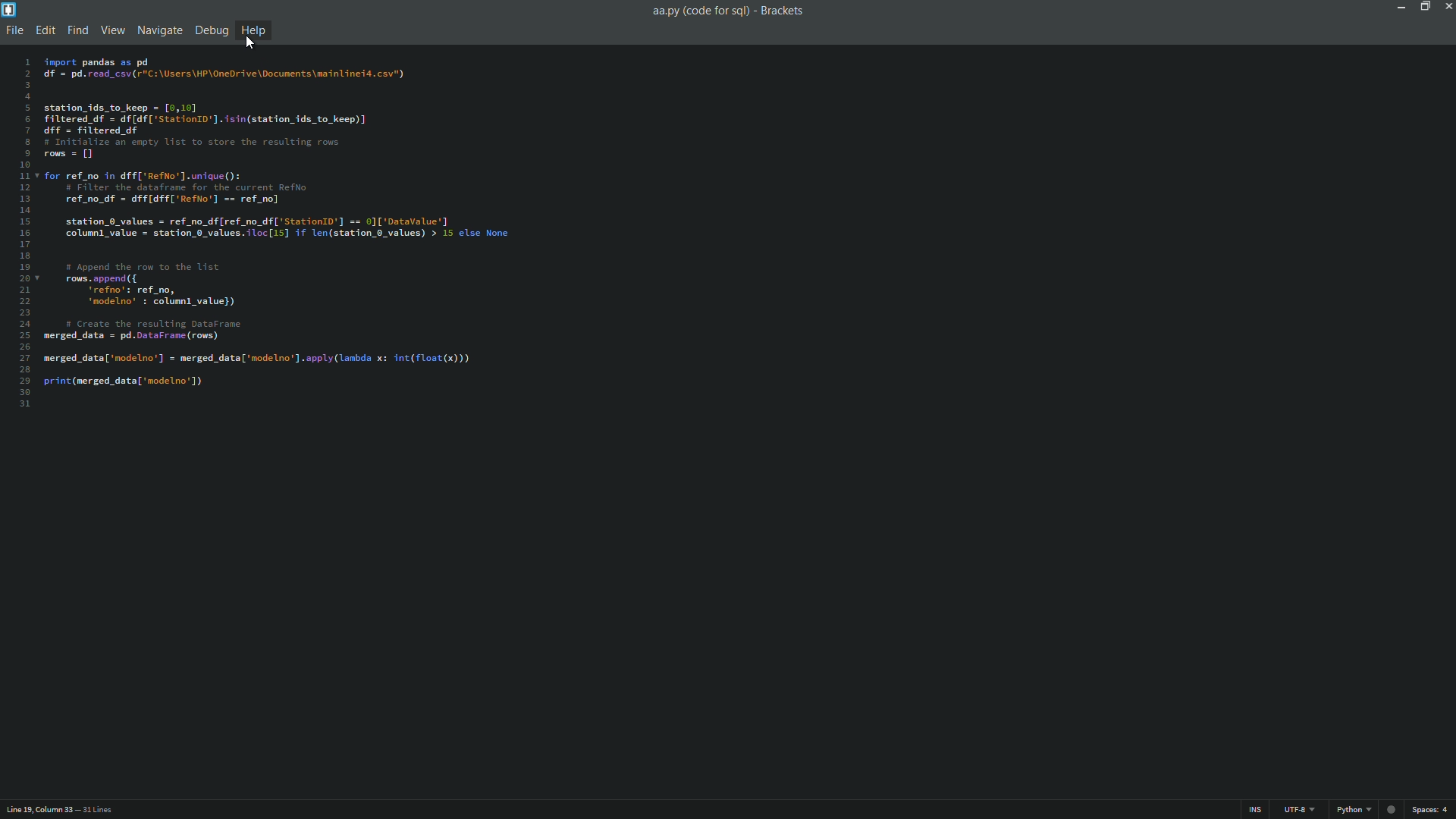 The height and width of the screenshot is (819, 1456). What do you see at coordinates (209, 31) in the screenshot?
I see `debug menu` at bounding box center [209, 31].